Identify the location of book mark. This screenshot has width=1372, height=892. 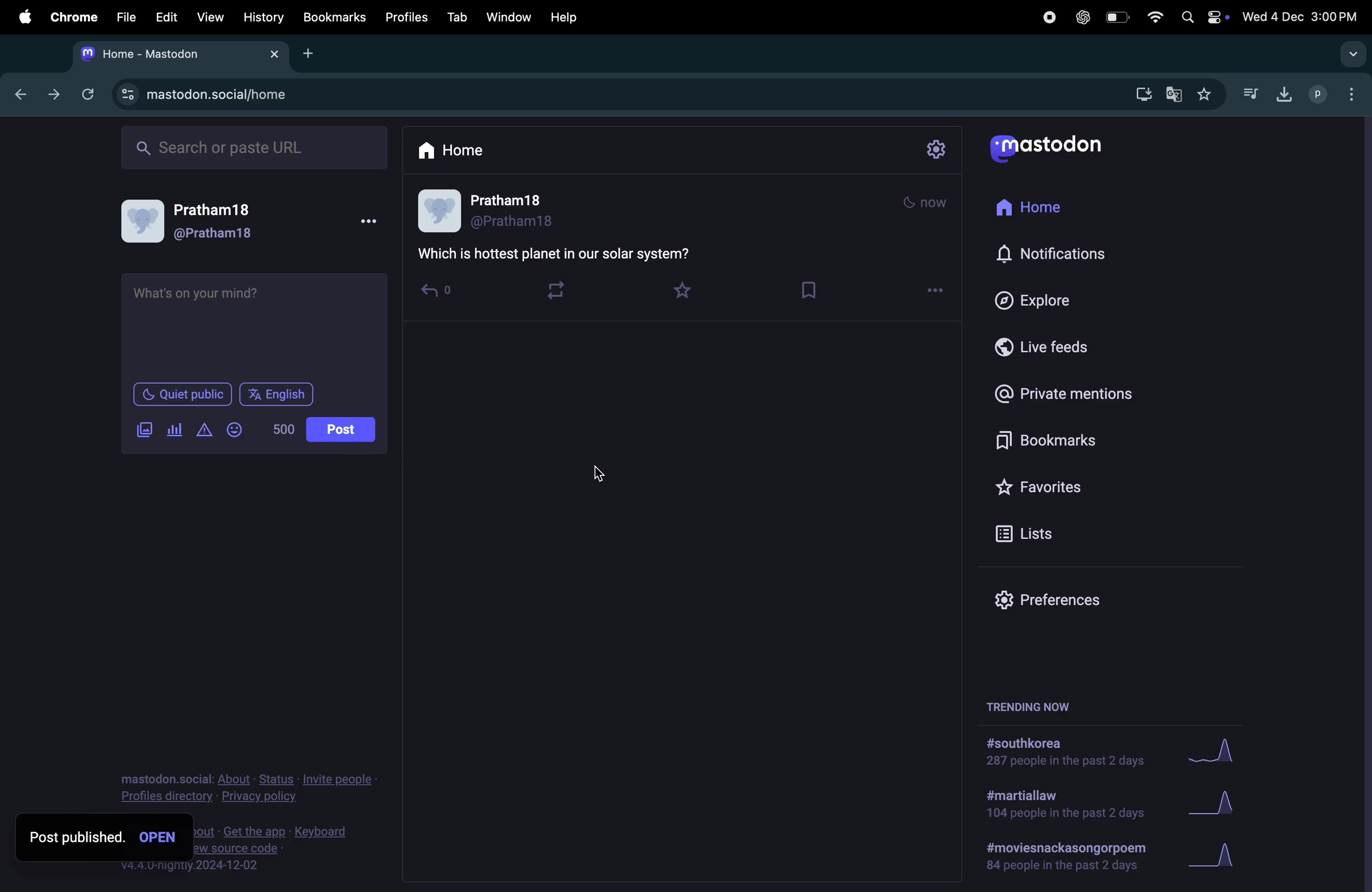
(334, 17).